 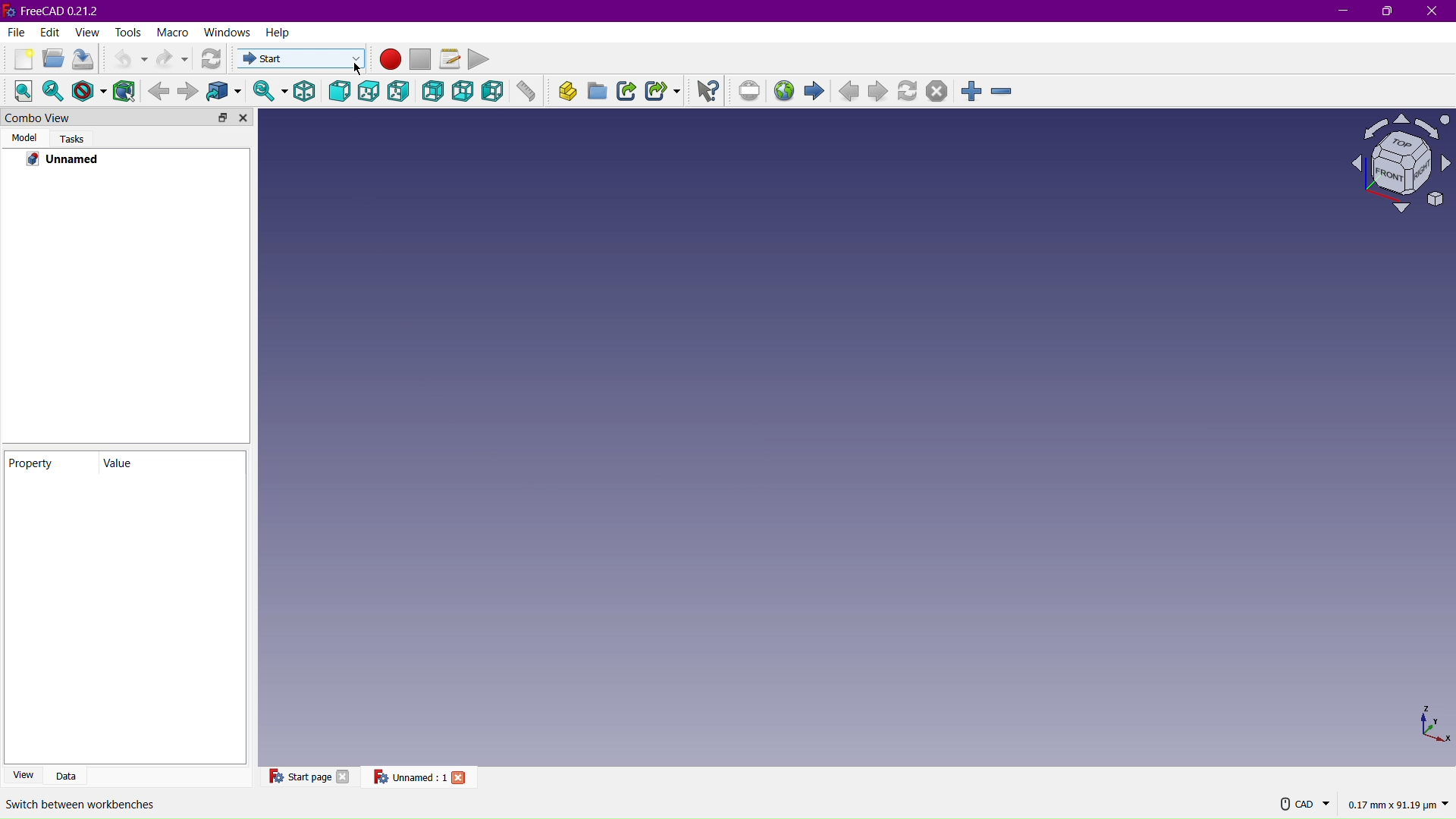 What do you see at coordinates (265, 91) in the screenshot?
I see `sync view` at bounding box center [265, 91].